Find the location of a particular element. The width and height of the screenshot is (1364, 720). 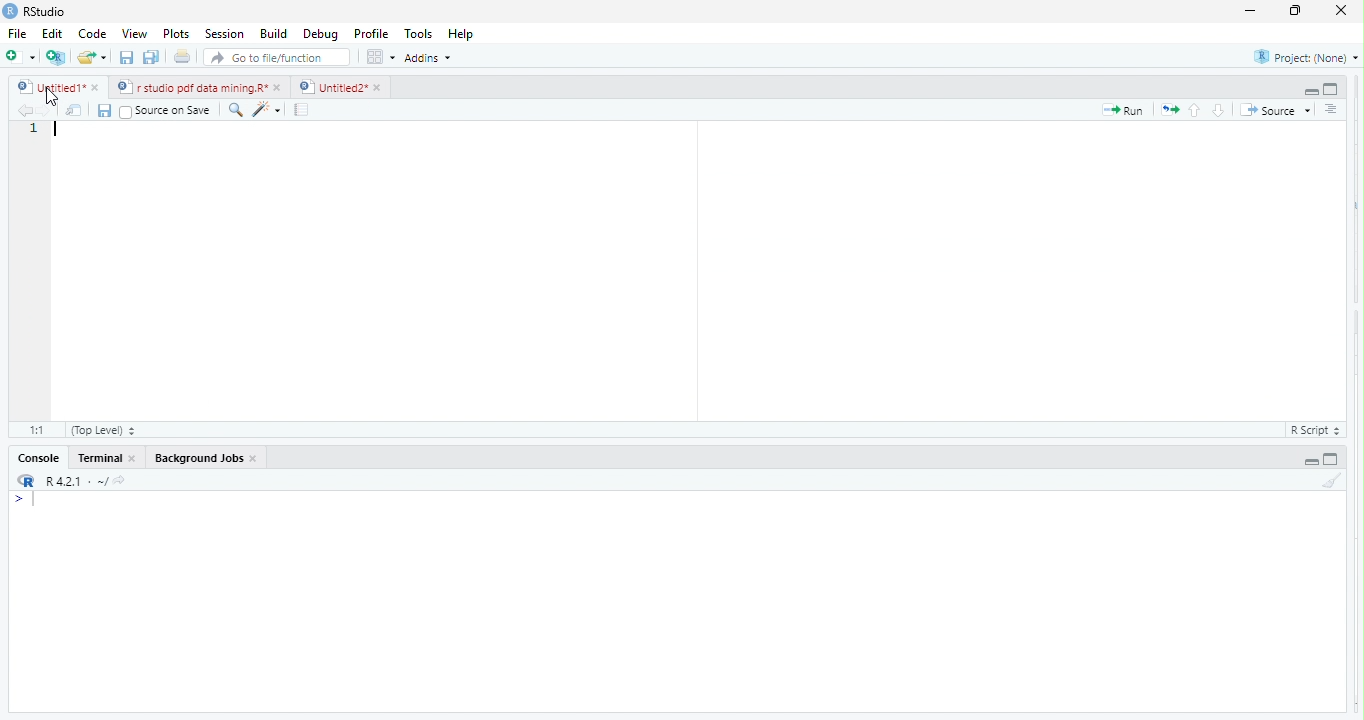

clear console is located at coordinates (1340, 478).